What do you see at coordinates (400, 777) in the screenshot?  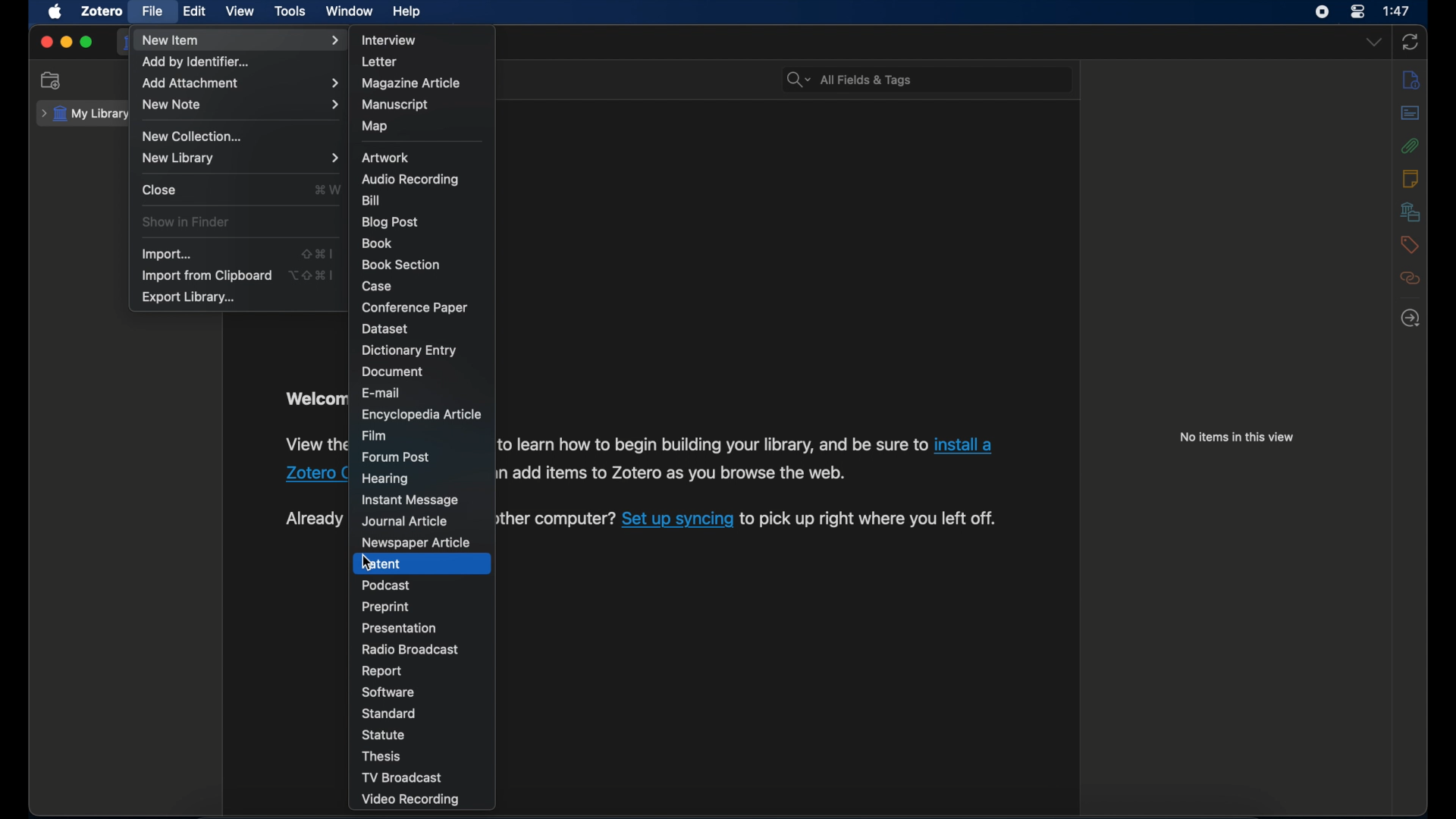 I see `tv broadcast` at bounding box center [400, 777].